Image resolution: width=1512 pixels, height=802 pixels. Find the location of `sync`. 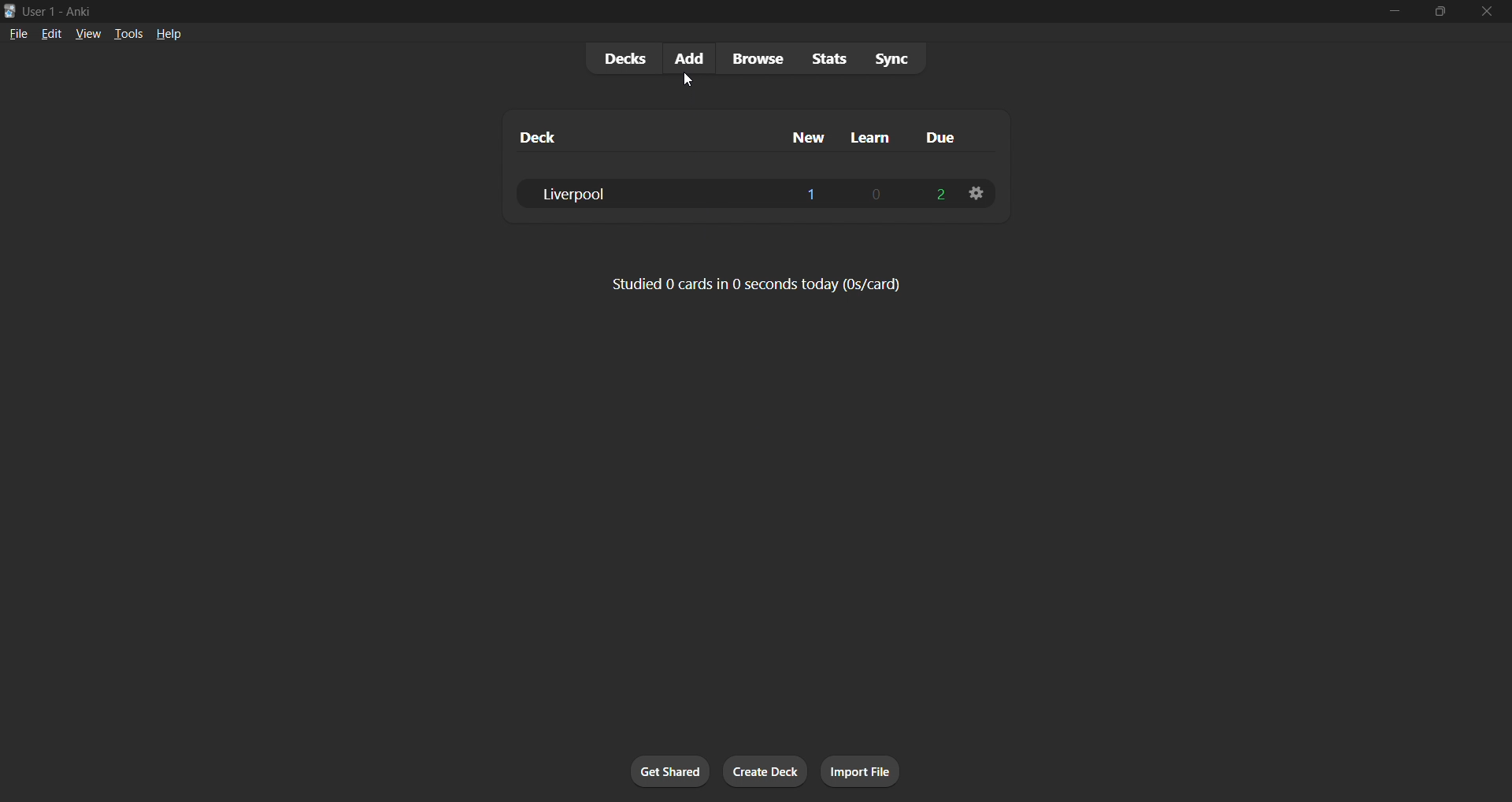

sync is located at coordinates (899, 61).